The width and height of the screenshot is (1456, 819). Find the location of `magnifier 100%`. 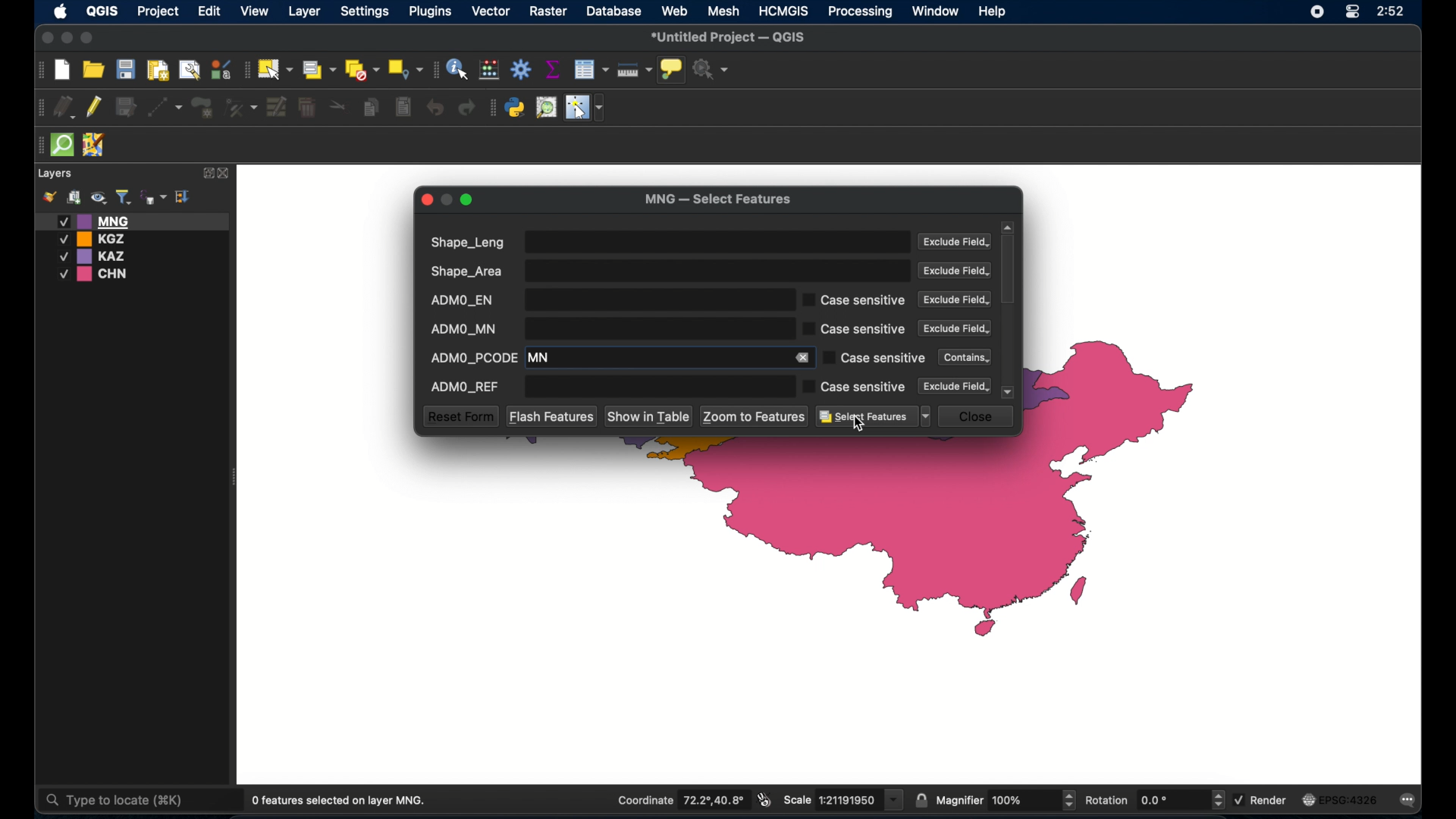

magnifier 100% is located at coordinates (1006, 800).